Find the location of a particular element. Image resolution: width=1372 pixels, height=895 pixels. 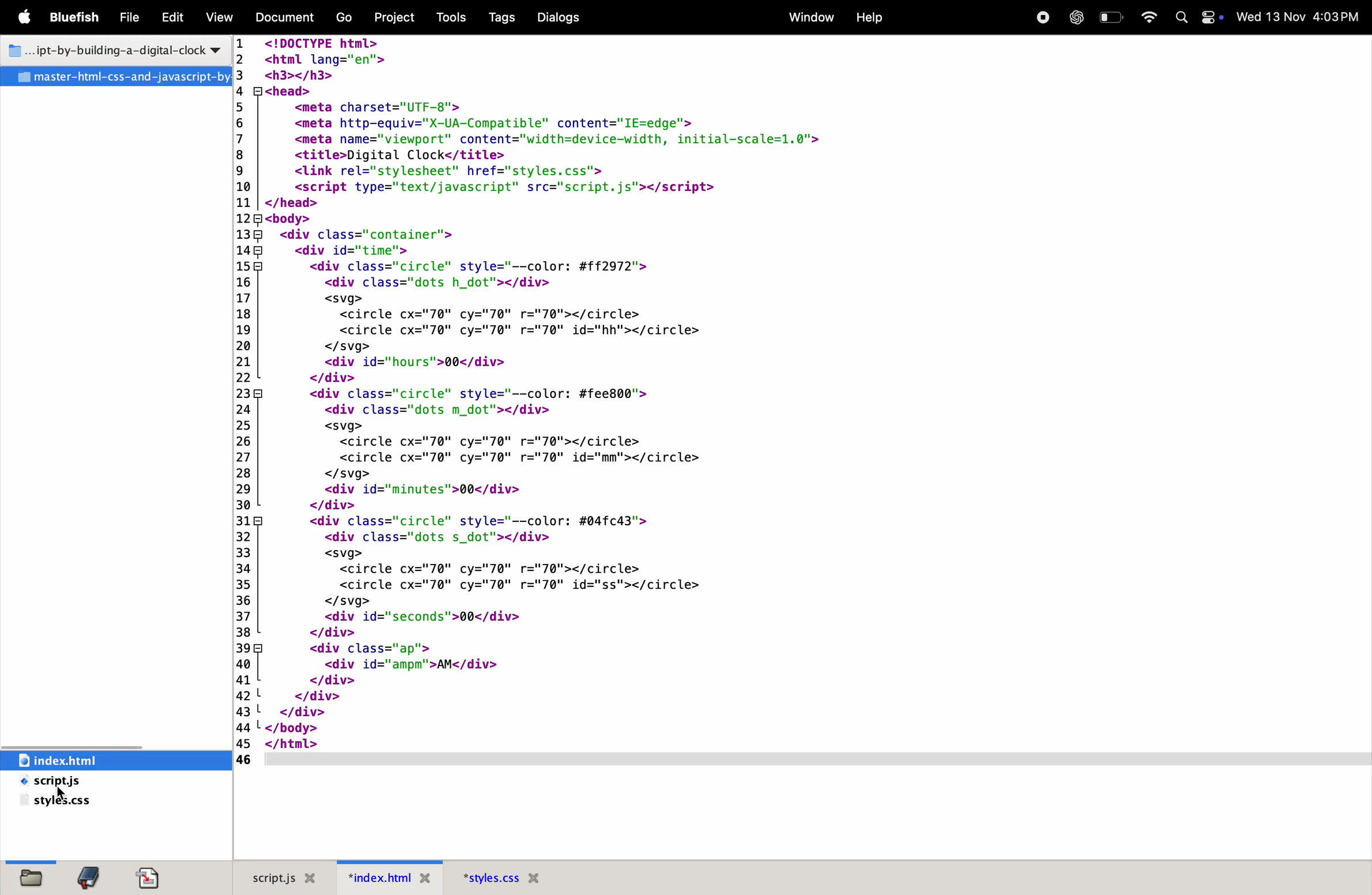

Index.html is located at coordinates (383, 878).